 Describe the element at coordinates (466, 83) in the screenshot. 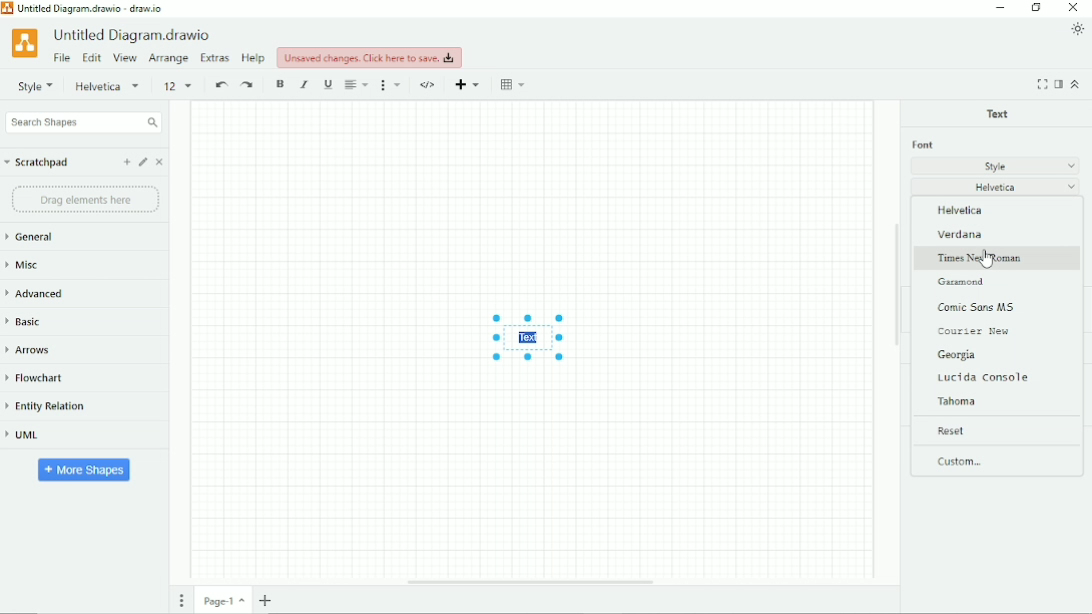

I see `Insert` at that location.